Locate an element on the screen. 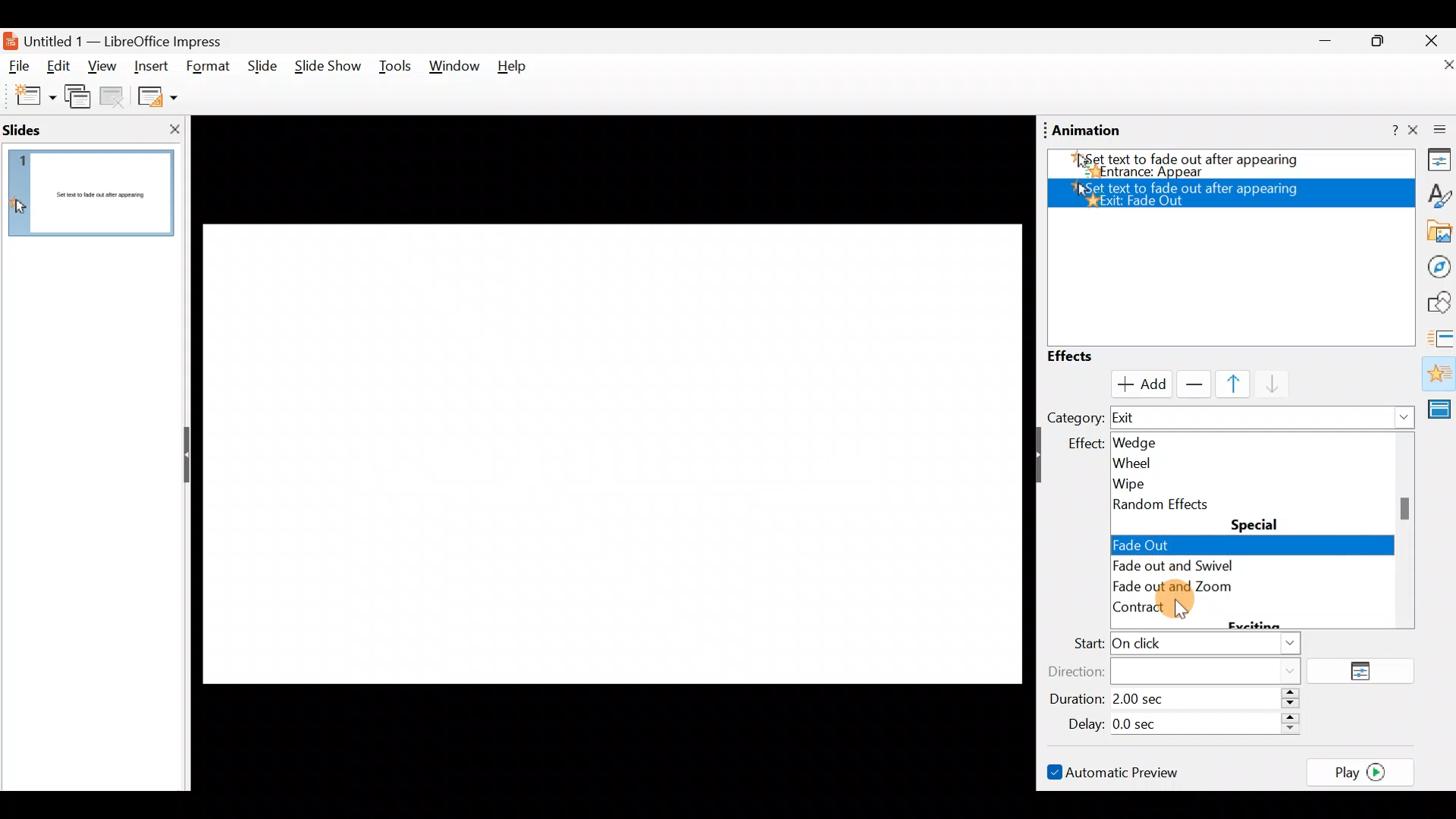  Maximise is located at coordinates (1383, 41).